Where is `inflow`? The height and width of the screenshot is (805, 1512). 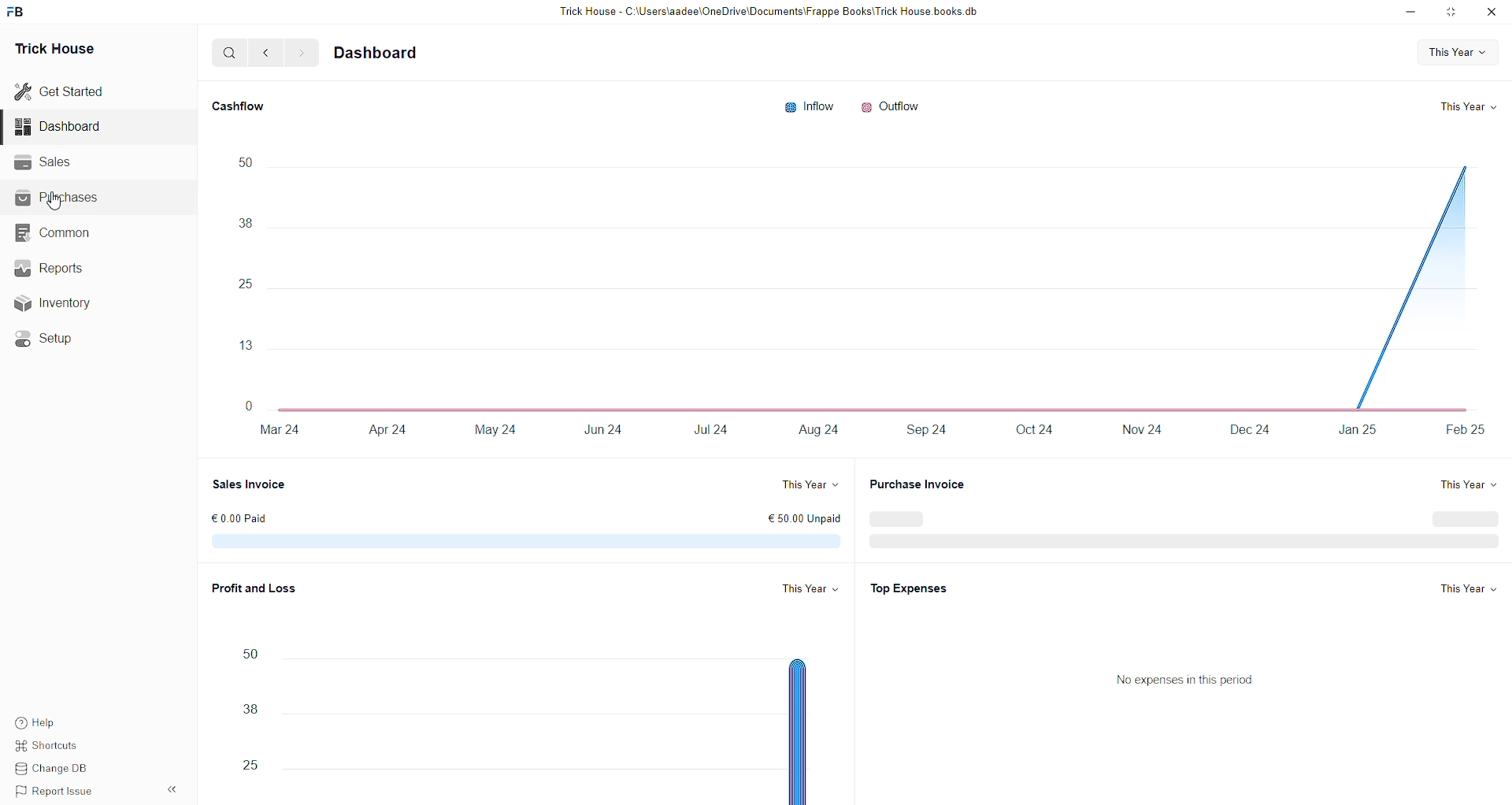 inflow is located at coordinates (809, 102).